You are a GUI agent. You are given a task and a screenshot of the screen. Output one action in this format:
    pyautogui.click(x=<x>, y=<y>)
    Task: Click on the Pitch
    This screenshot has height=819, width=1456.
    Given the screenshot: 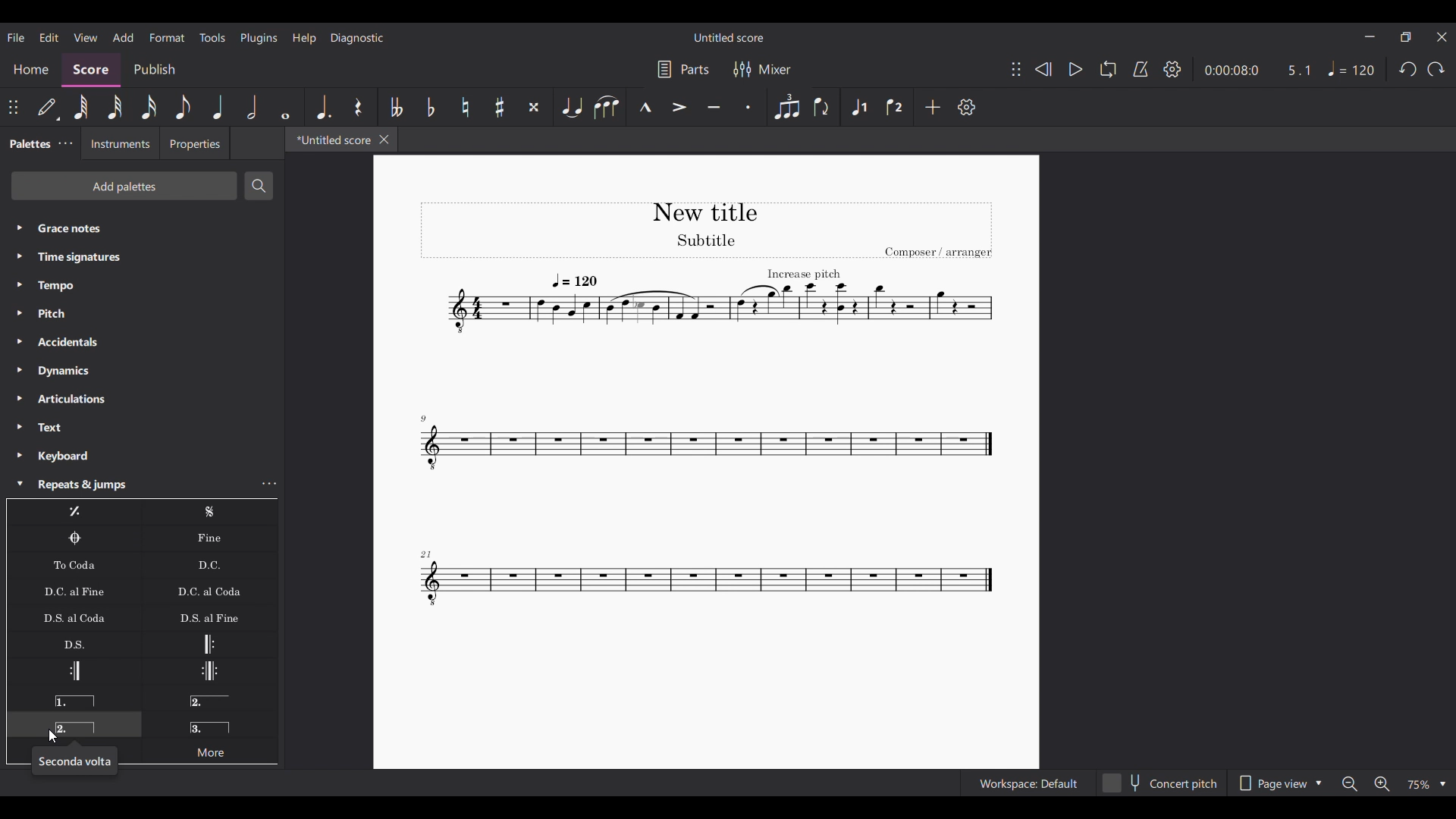 What is the action you would take?
    pyautogui.click(x=142, y=312)
    